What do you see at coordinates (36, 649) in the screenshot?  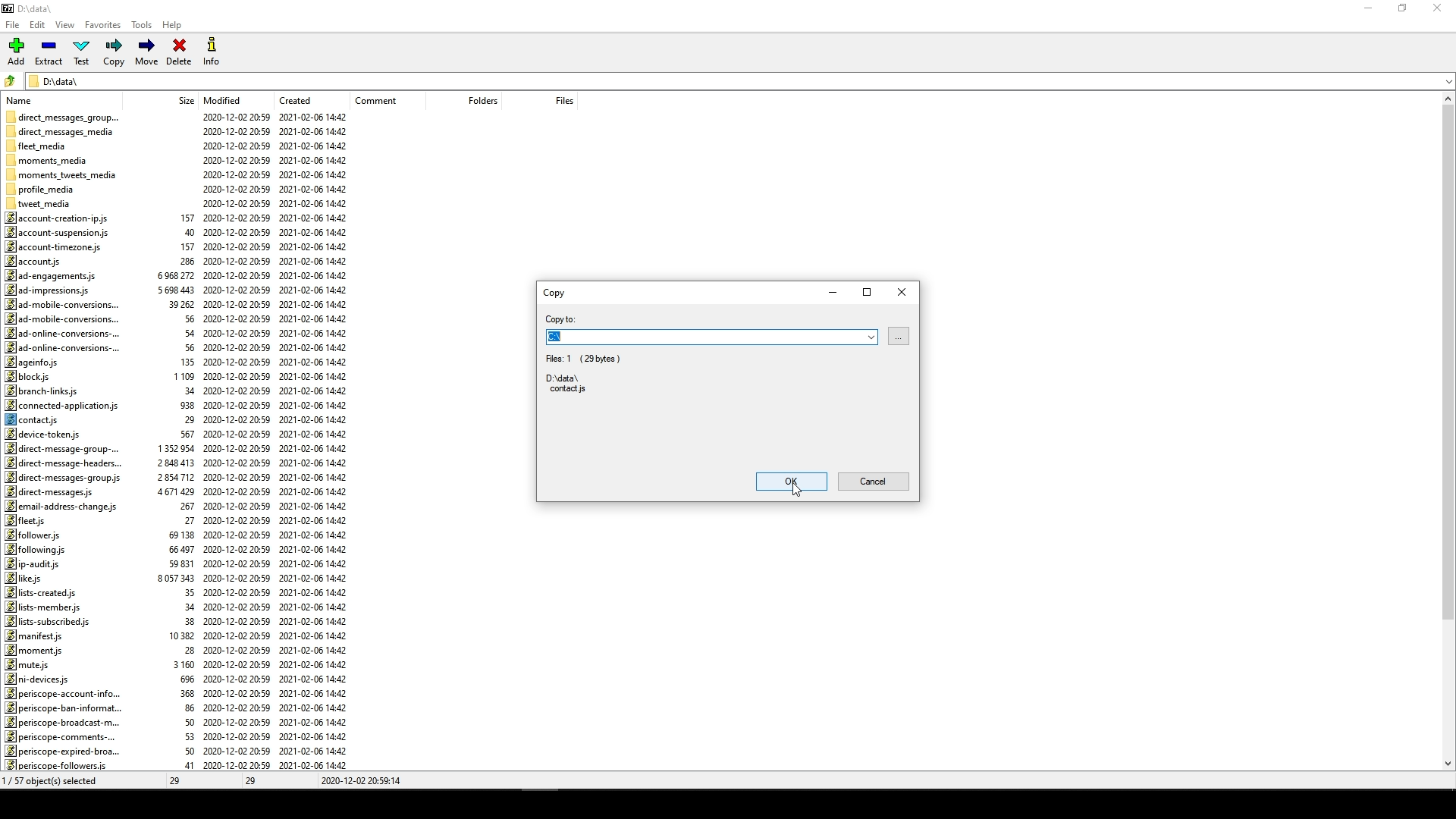 I see `moment.js` at bounding box center [36, 649].